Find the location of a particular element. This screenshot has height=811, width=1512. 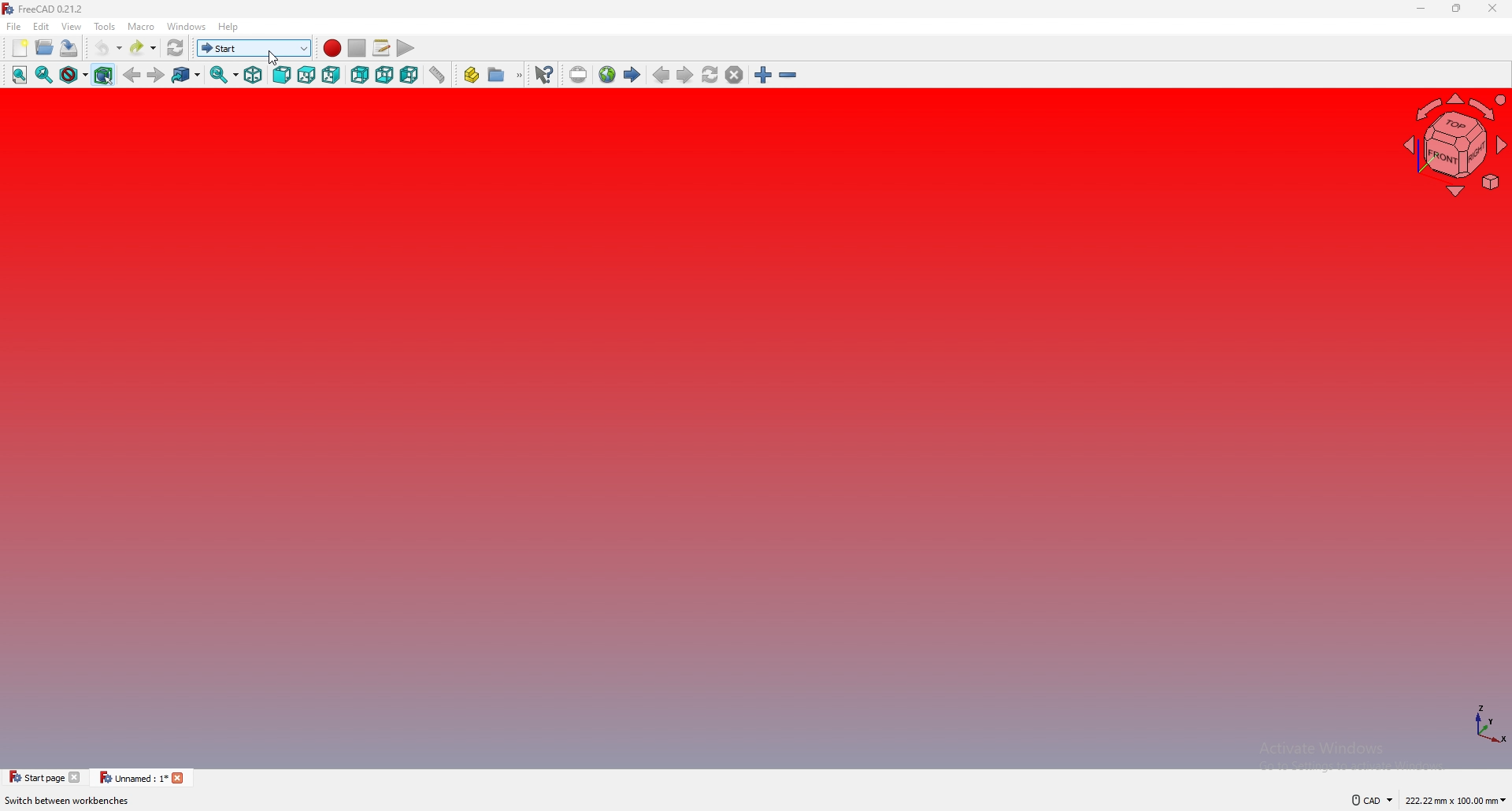

dimensions is located at coordinates (1455, 801).